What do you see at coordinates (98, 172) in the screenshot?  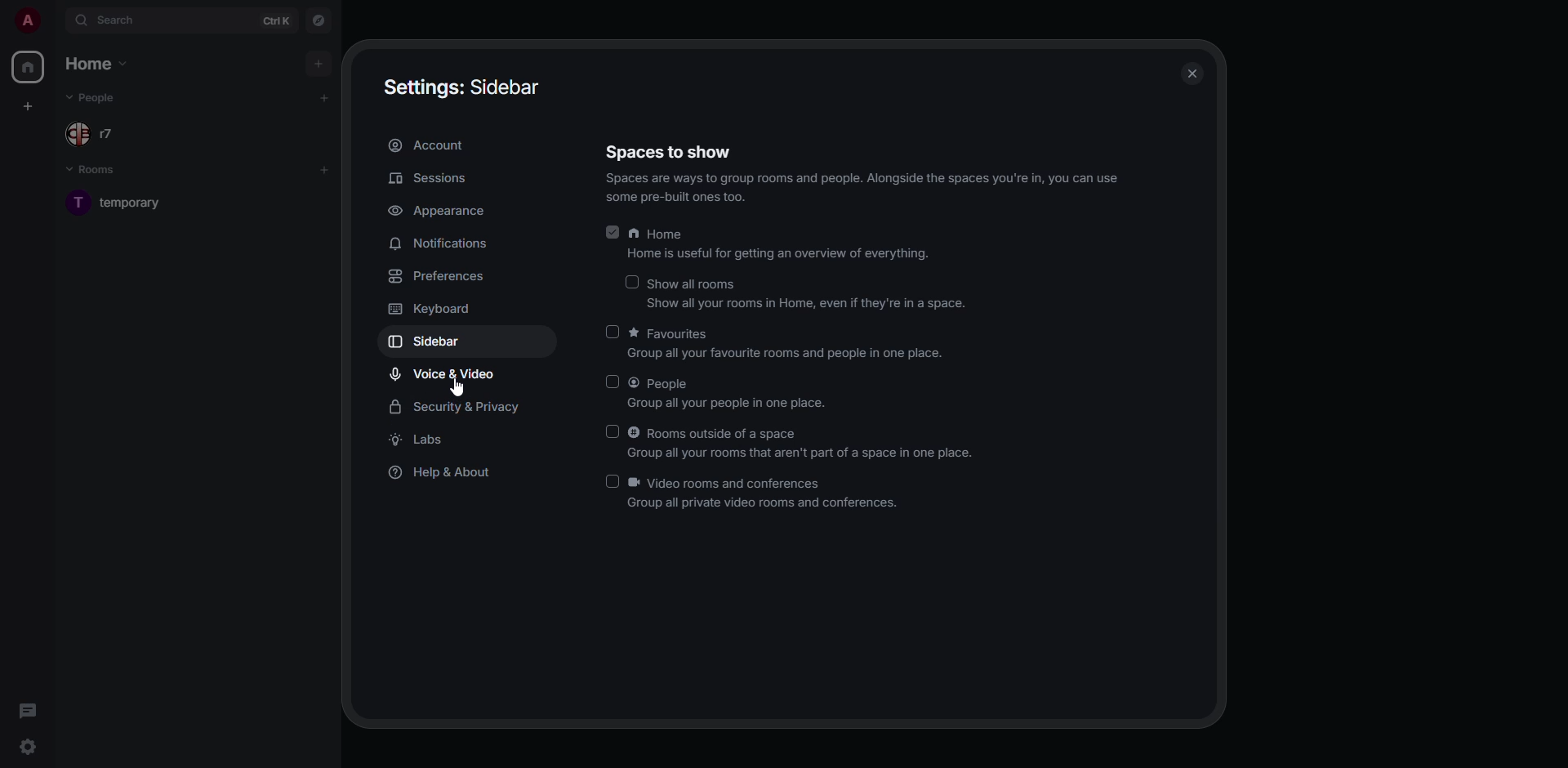 I see `rooms` at bounding box center [98, 172].